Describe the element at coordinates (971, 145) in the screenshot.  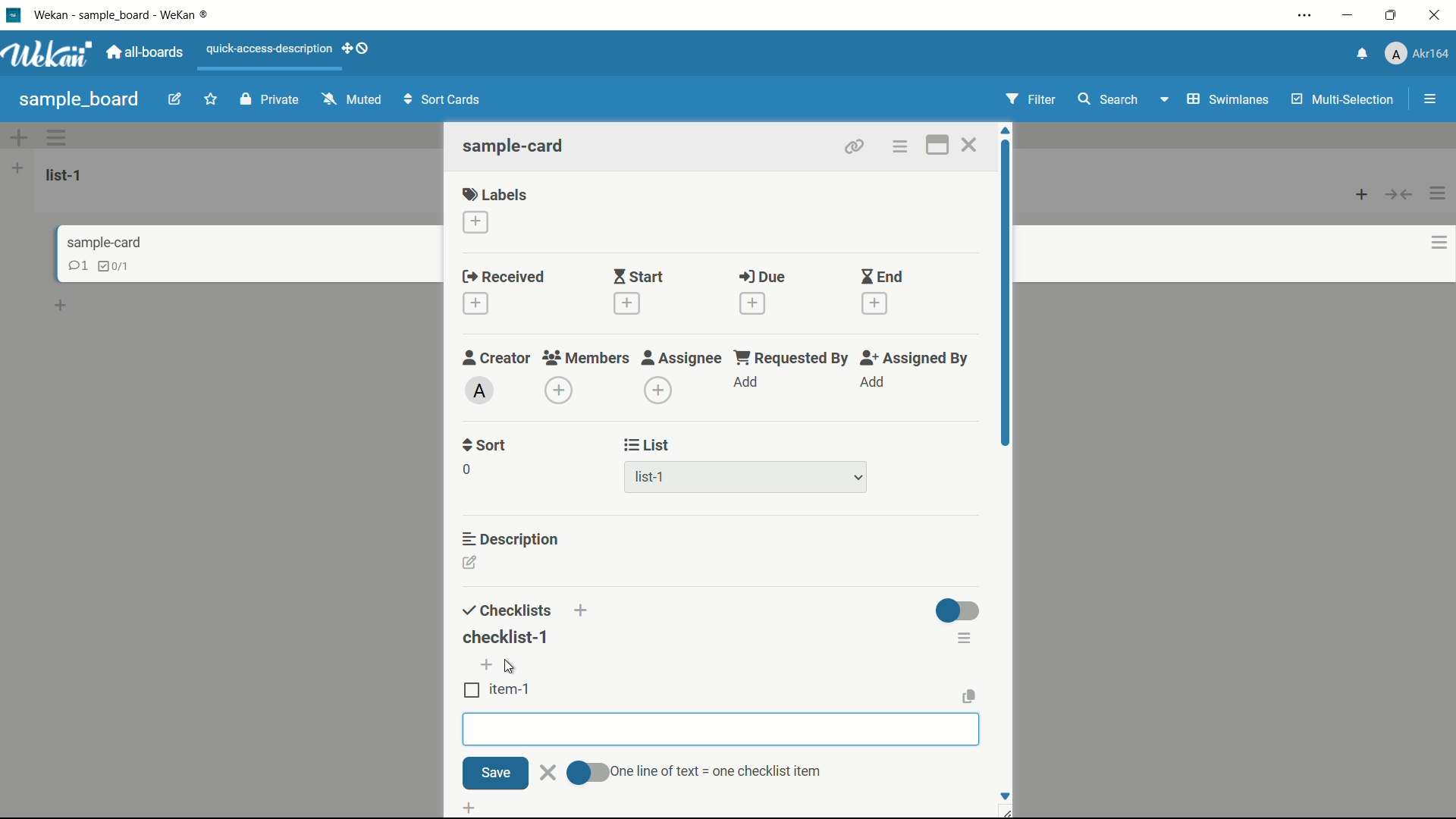
I see `close card` at that location.